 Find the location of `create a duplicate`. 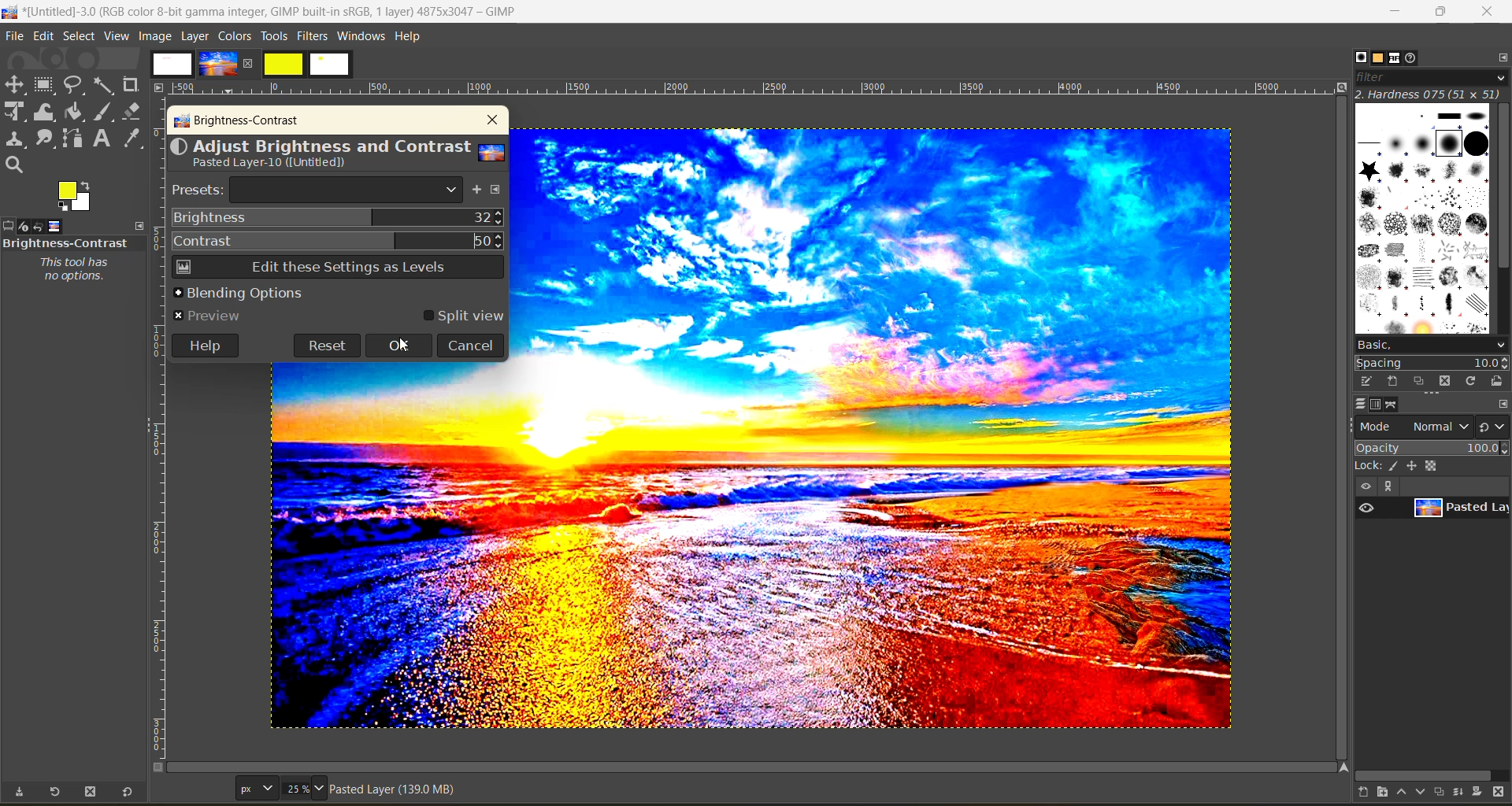

create a duplicate is located at coordinates (1442, 791).